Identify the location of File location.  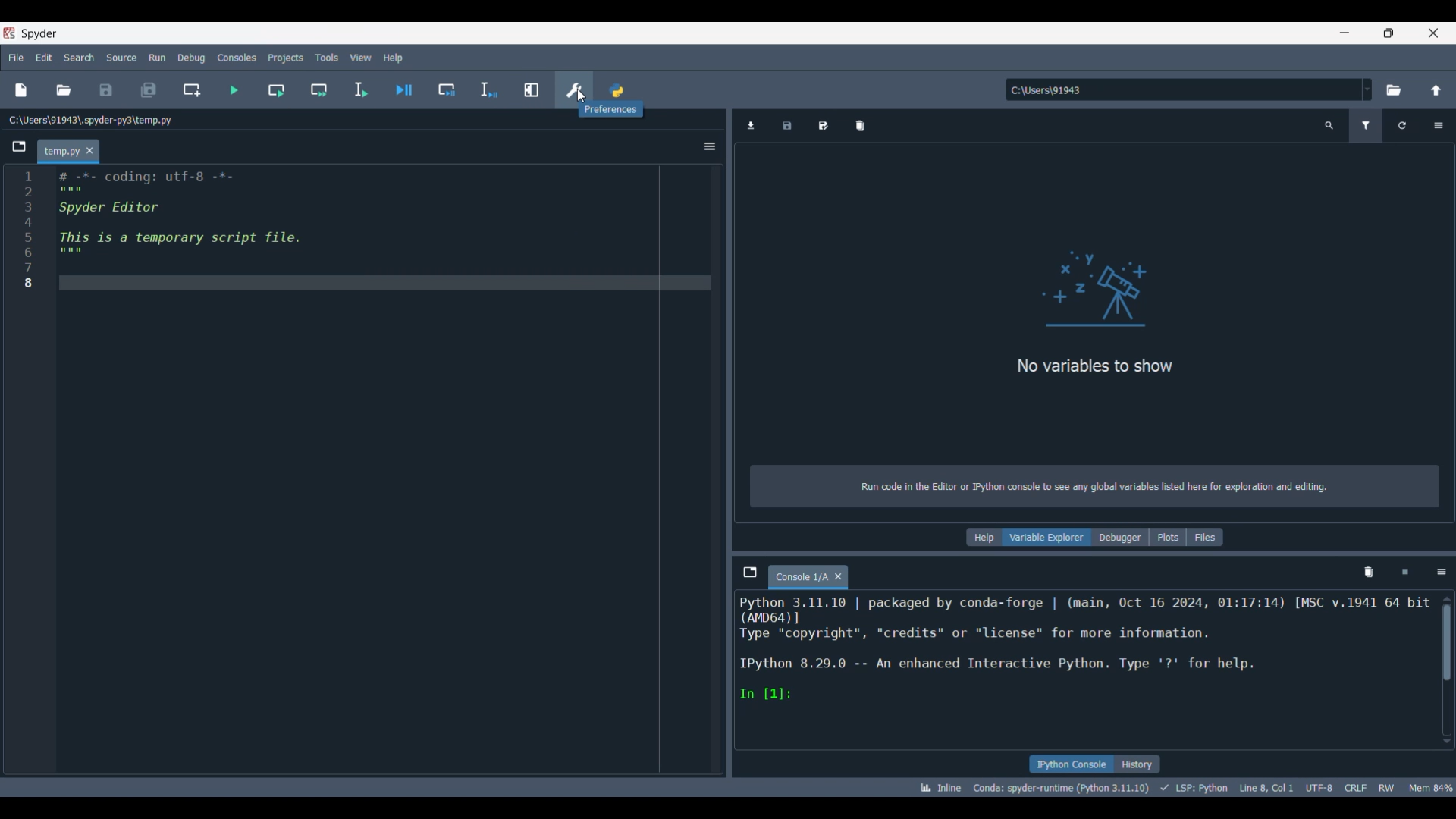
(89, 120).